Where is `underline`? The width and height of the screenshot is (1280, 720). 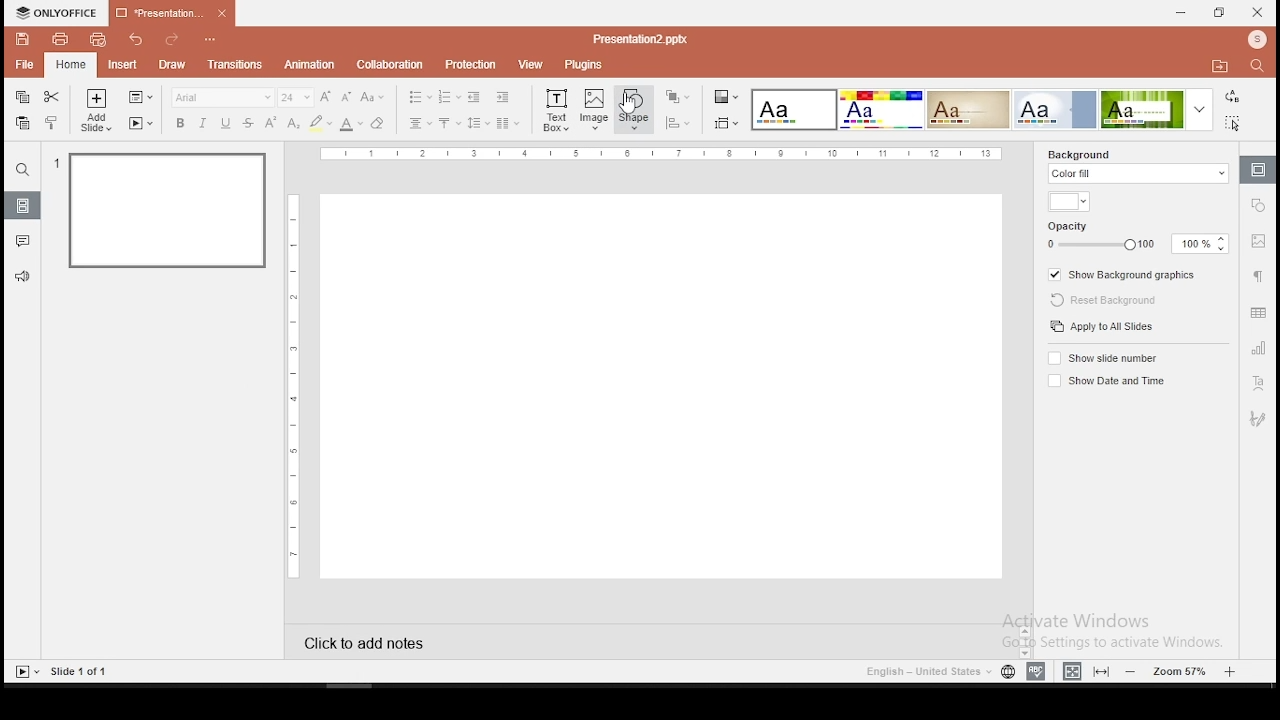
underline is located at coordinates (226, 124).